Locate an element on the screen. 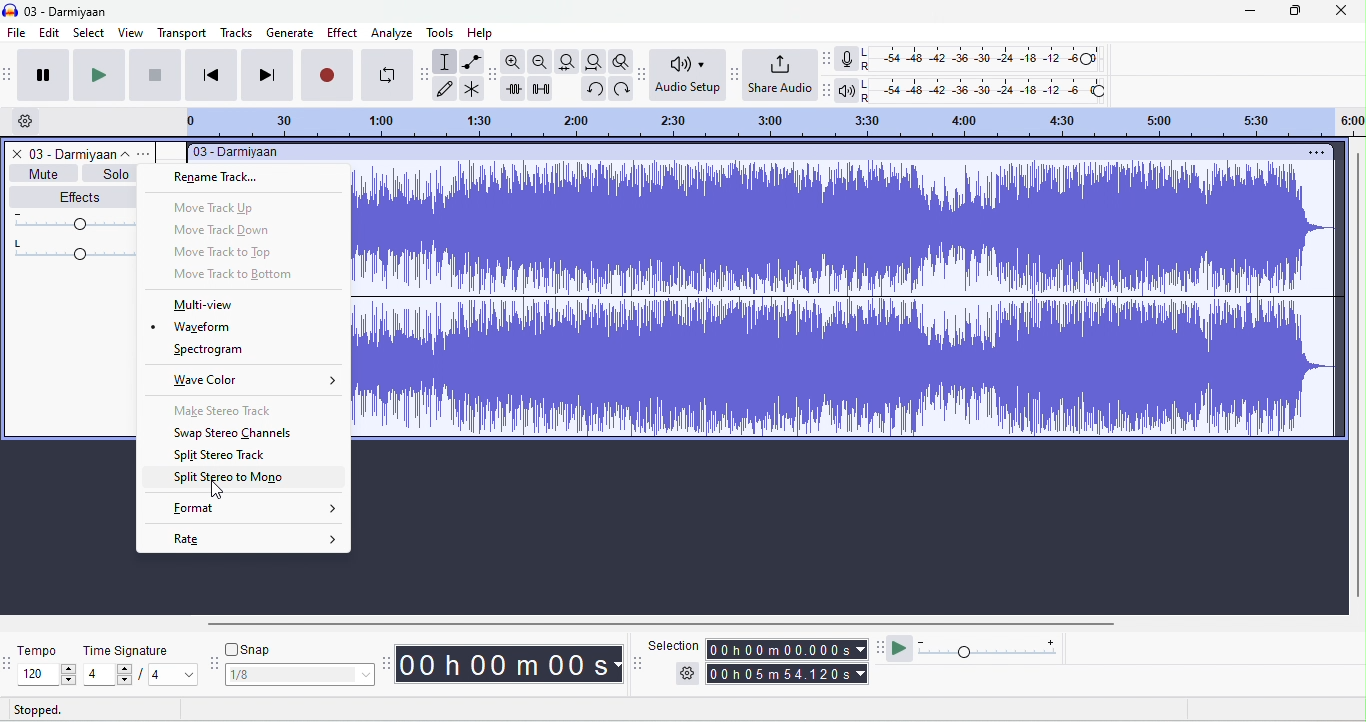  skip to first is located at coordinates (211, 76).